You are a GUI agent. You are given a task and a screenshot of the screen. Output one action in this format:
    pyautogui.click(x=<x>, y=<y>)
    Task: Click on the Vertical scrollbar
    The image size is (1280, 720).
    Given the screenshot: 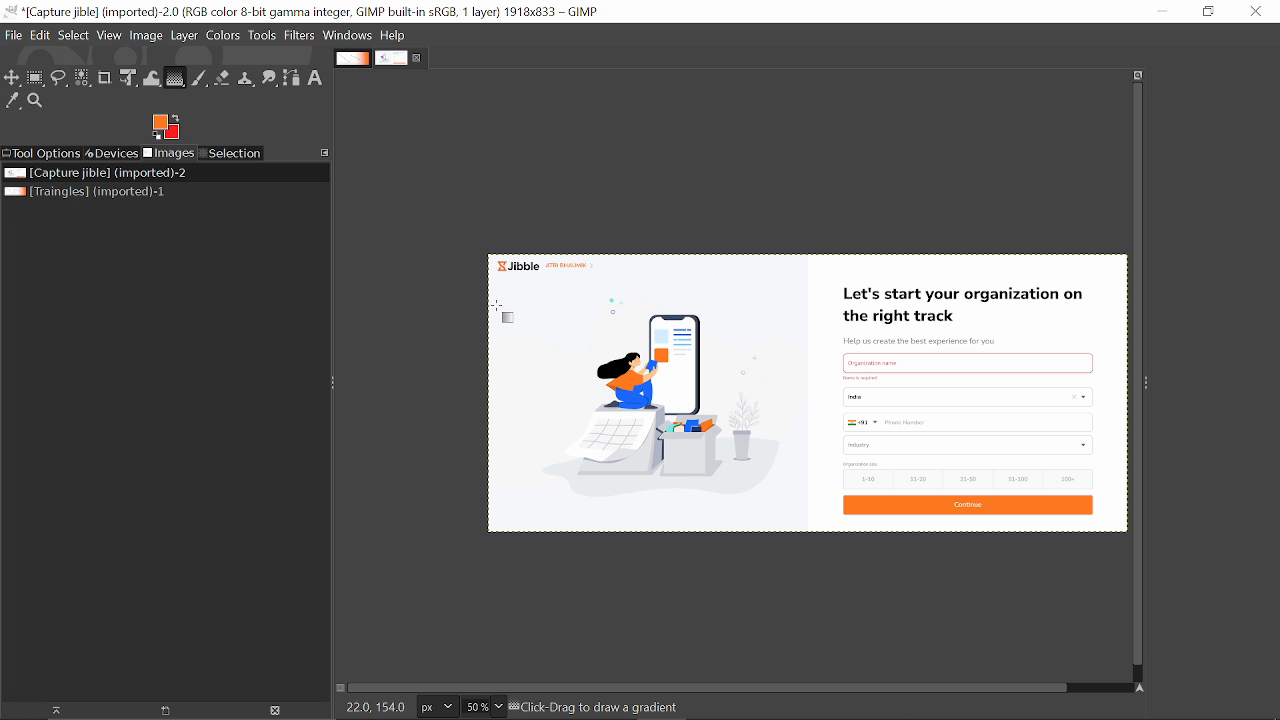 What is the action you would take?
    pyautogui.click(x=1134, y=372)
    